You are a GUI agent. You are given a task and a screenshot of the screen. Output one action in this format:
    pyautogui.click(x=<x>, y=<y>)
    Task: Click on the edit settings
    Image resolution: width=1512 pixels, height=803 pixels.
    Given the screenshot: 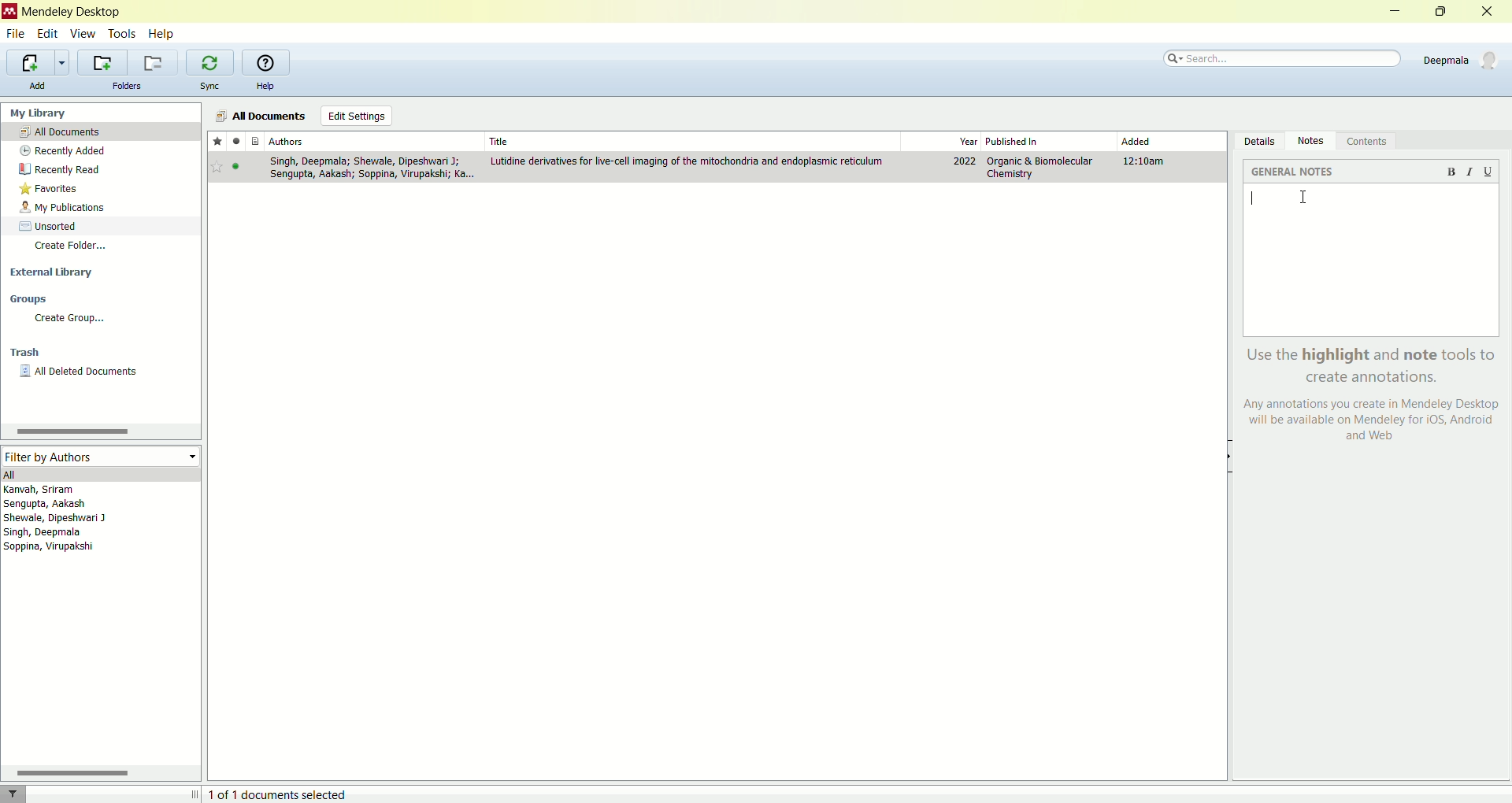 What is the action you would take?
    pyautogui.click(x=355, y=116)
    